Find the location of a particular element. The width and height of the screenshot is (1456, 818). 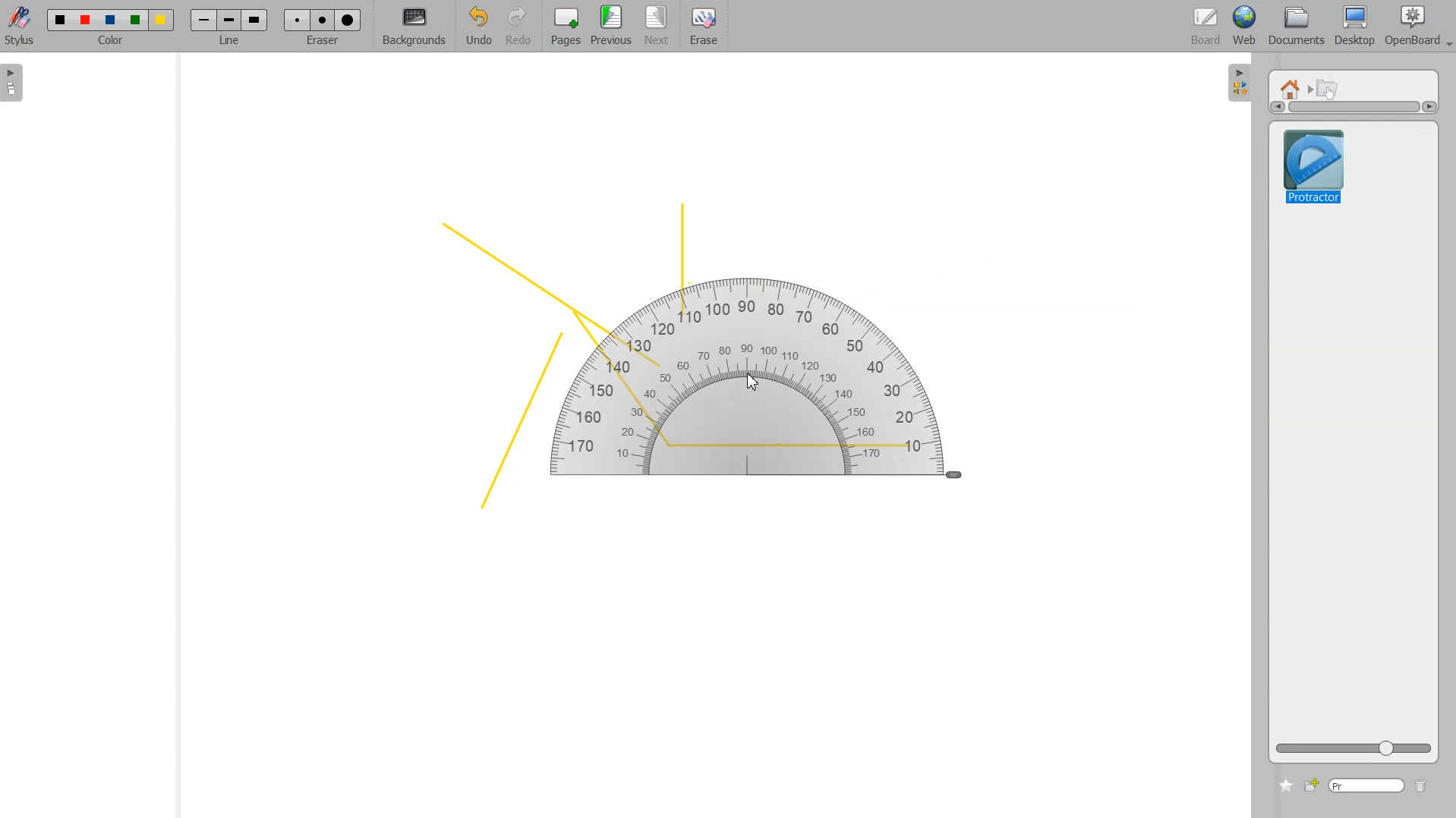

Documents is located at coordinates (1294, 27).